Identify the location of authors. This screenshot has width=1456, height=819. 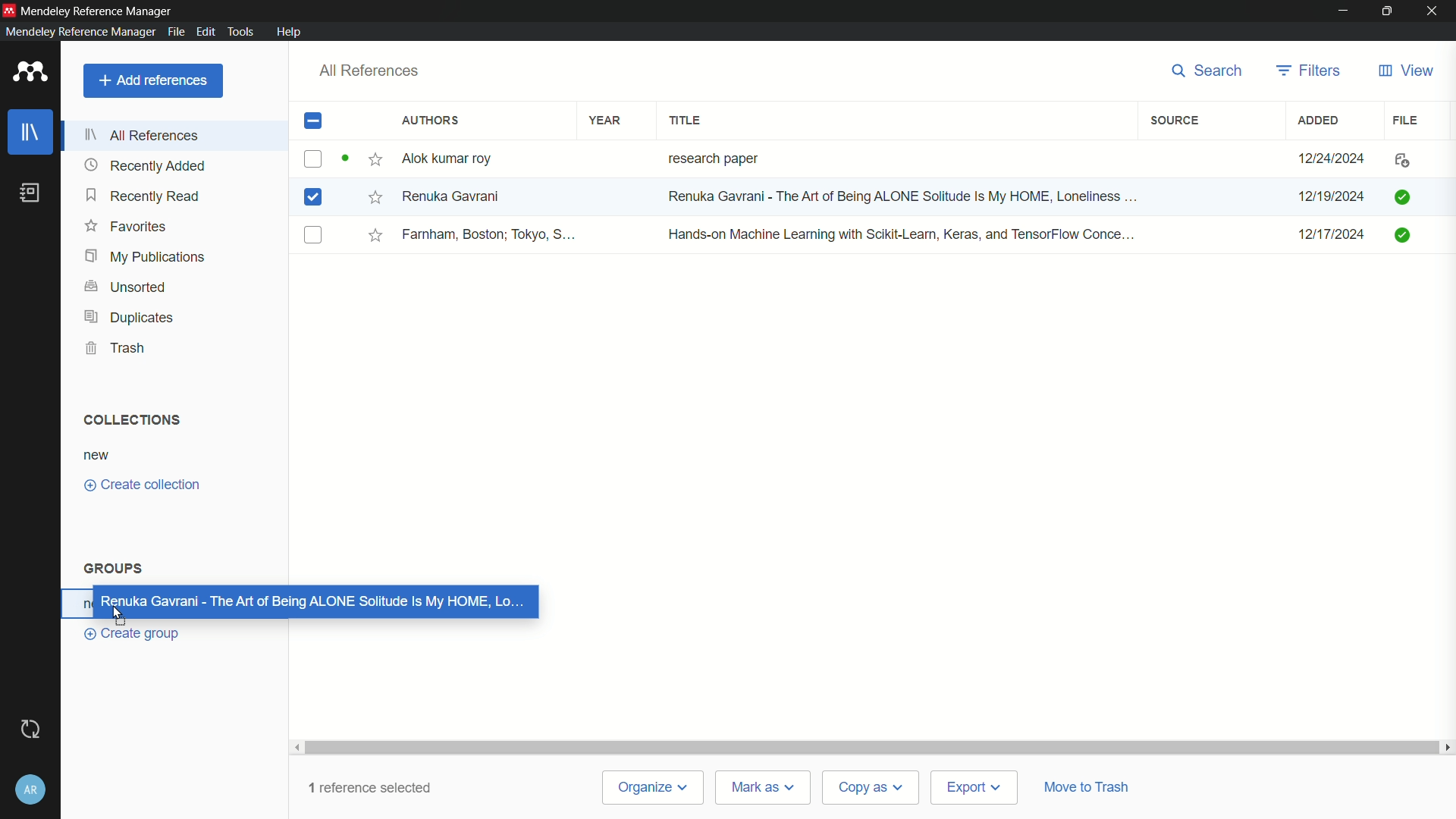
(431, 121).